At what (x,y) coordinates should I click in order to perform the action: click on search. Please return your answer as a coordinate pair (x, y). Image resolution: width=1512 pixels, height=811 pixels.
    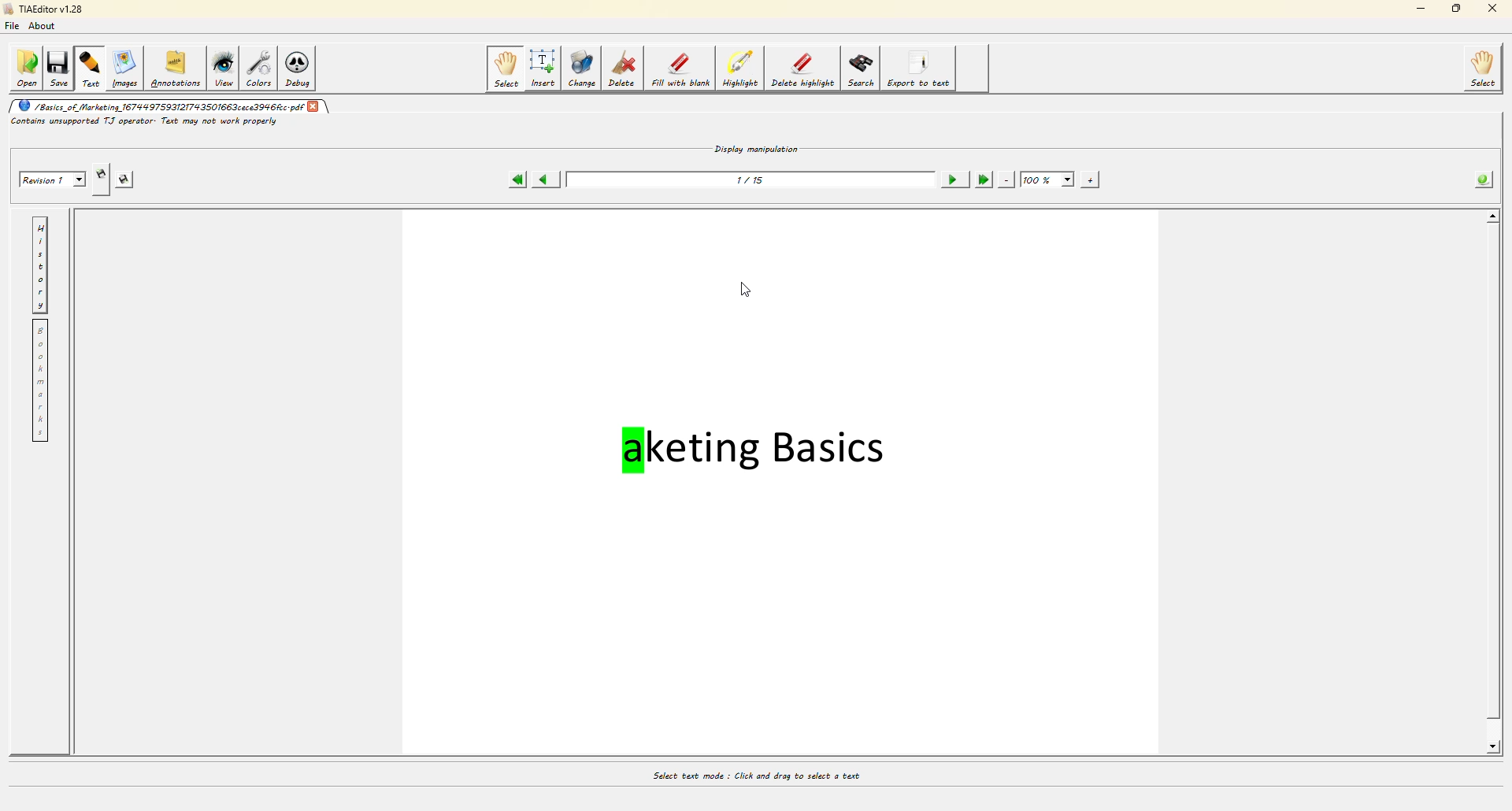
    Looking at the image, I should click on (862, 70).